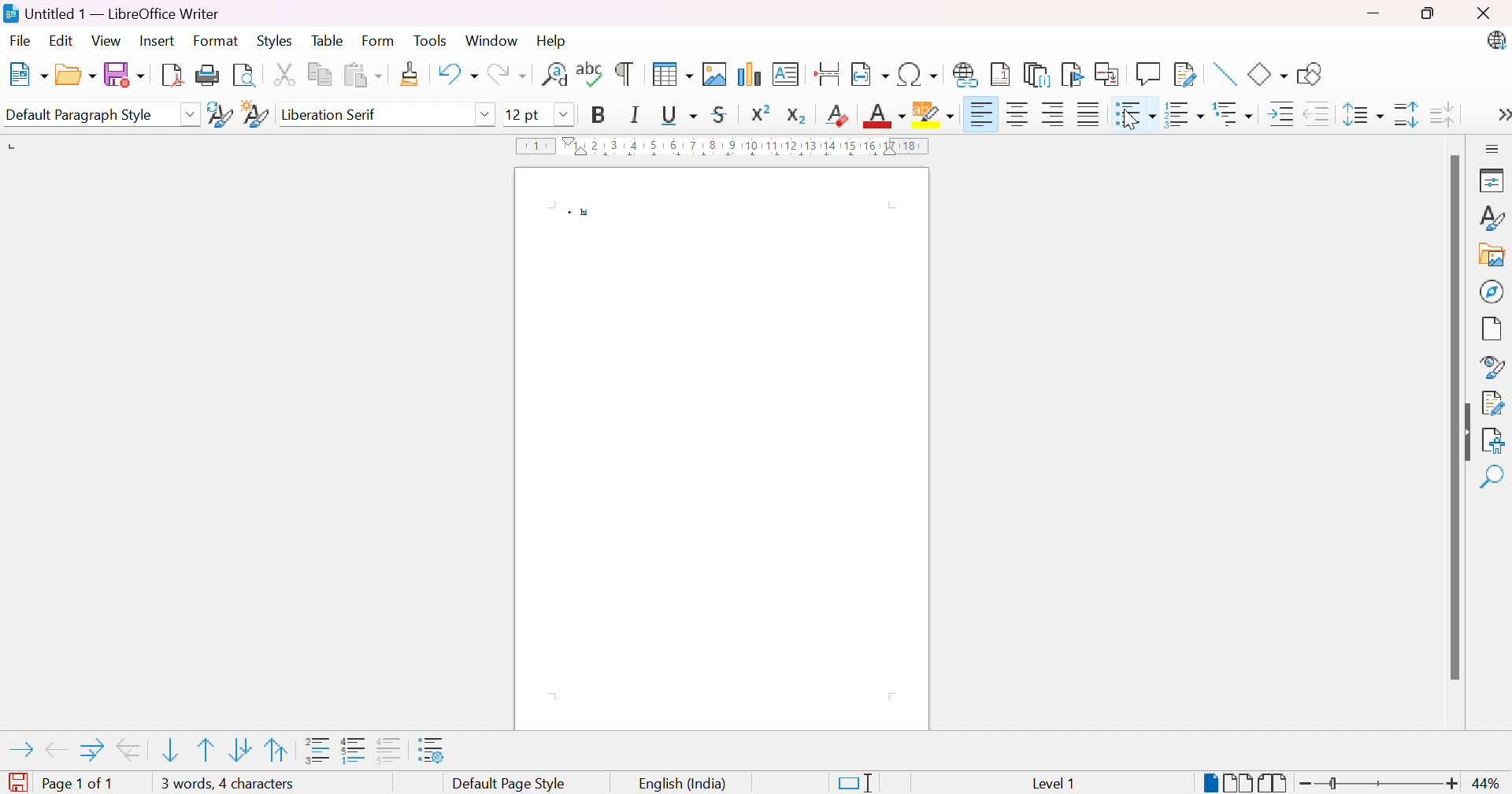 This screenshot has width=1512, height=794. What do you see at coordinates (684, 785) in the screenshot?
I see `English (India)` at bounding box center [684, 785].